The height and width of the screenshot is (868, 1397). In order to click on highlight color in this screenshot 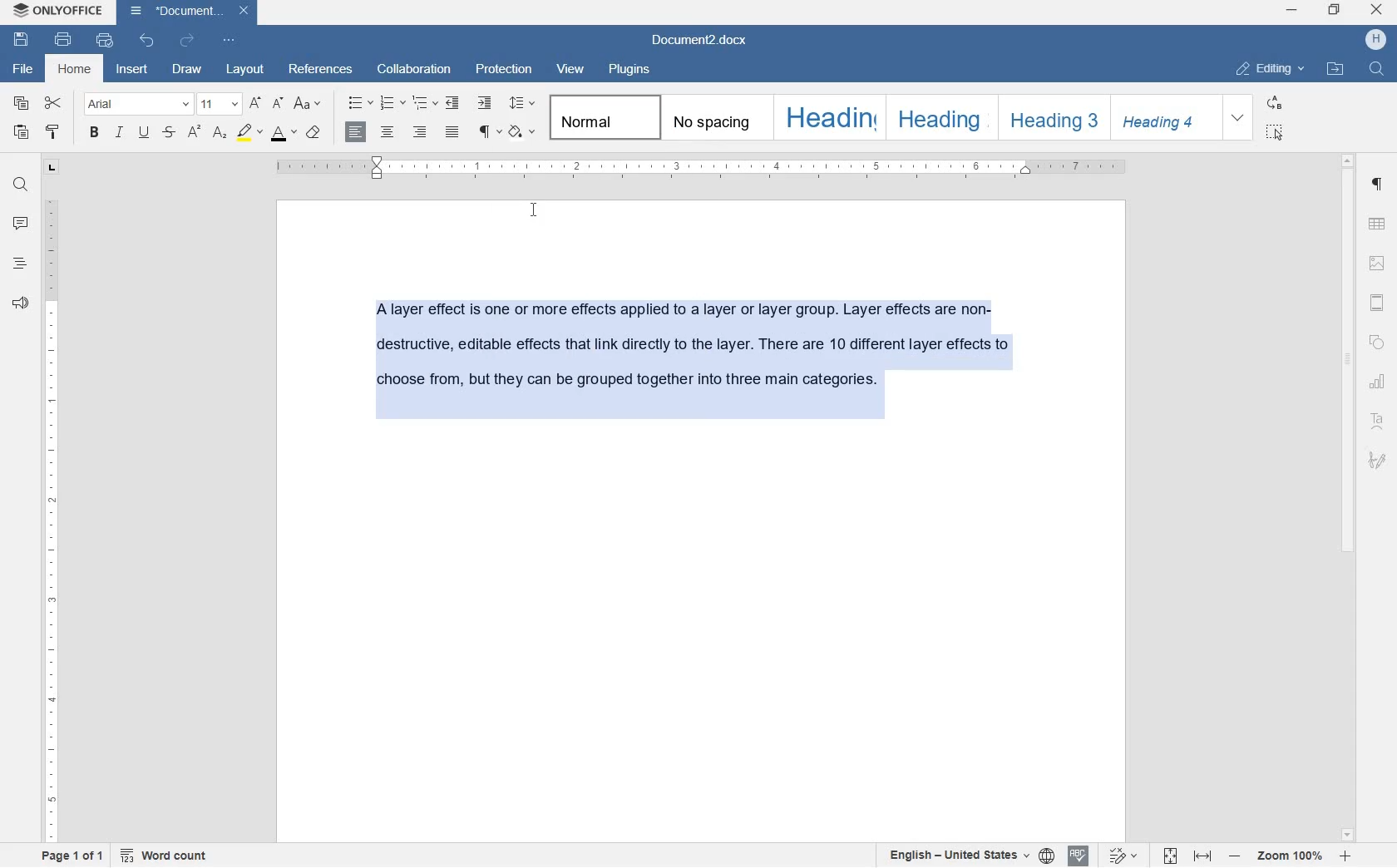, I will do `click(249, 134)`.